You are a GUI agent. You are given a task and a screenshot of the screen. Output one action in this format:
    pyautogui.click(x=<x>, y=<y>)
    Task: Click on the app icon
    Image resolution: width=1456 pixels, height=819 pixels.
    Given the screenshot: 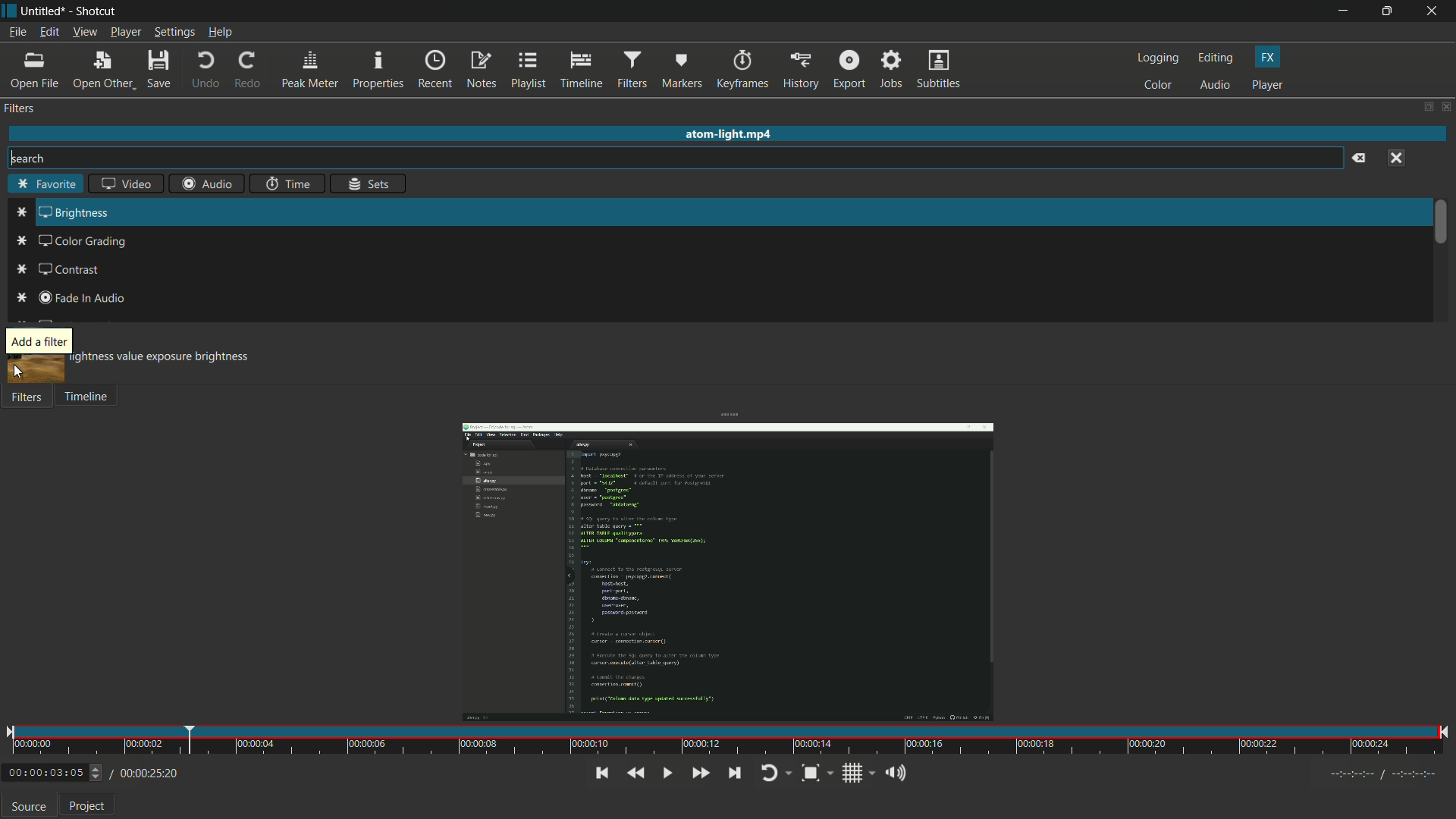 What is the action you would take?
    pyautogui.click(x=9, y=9)
    